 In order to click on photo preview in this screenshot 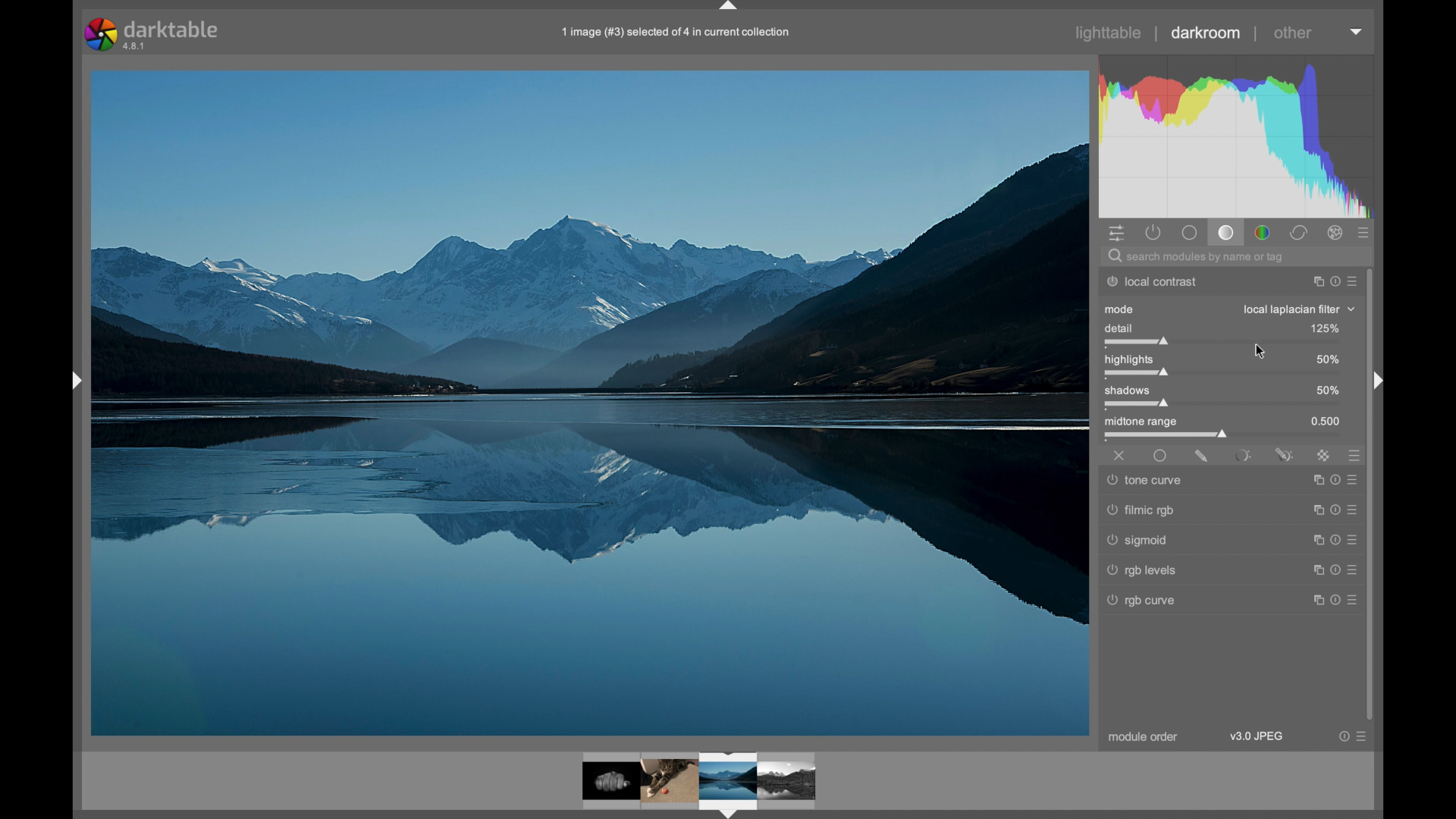, I will do `click(700, 783)`.